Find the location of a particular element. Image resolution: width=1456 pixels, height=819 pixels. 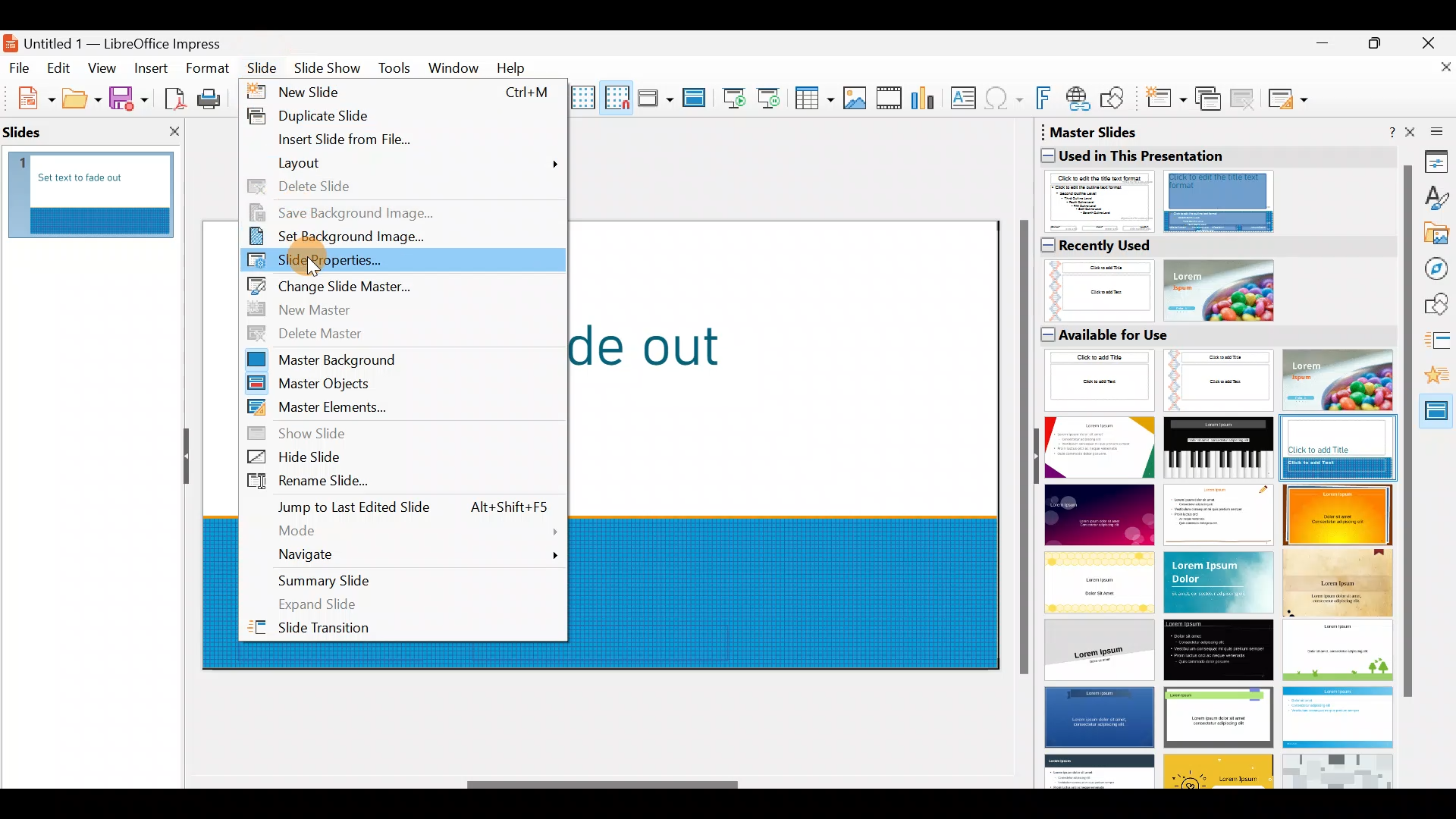

New slide is located at coordinates (402, 93).